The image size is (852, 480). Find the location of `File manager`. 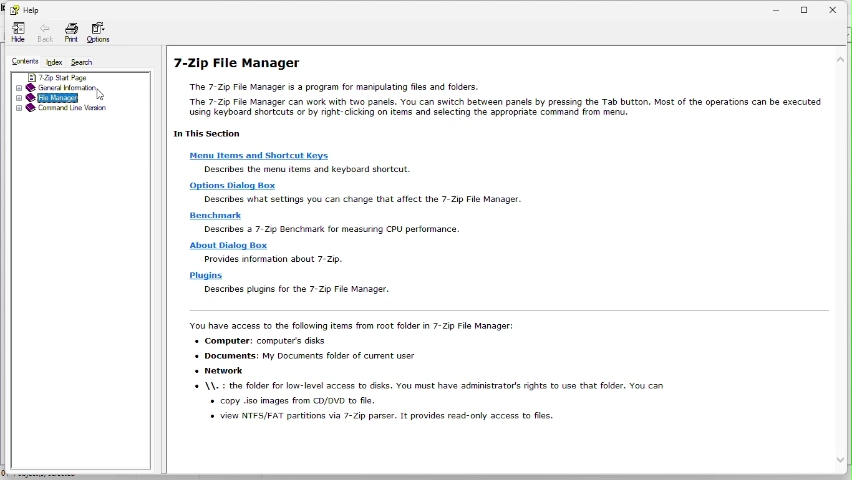

File manager is located at coordinates (61, 97).